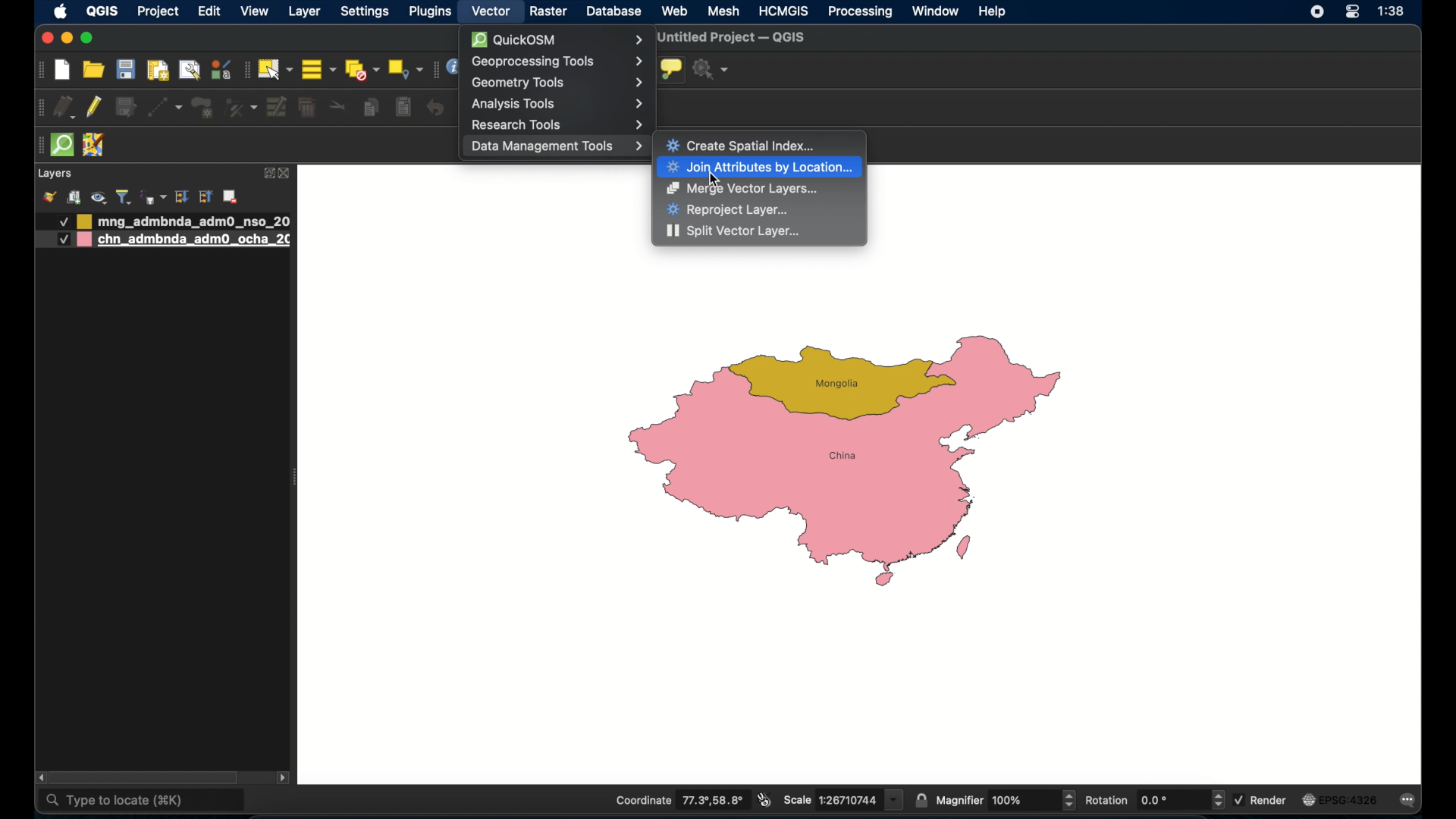 Image resolution: width=1456 pixels, height=819 pixels. What do you see at coordinates (1006, 801) in the screenshot?
I see `magnifier` at bounding box center [1006, 801].